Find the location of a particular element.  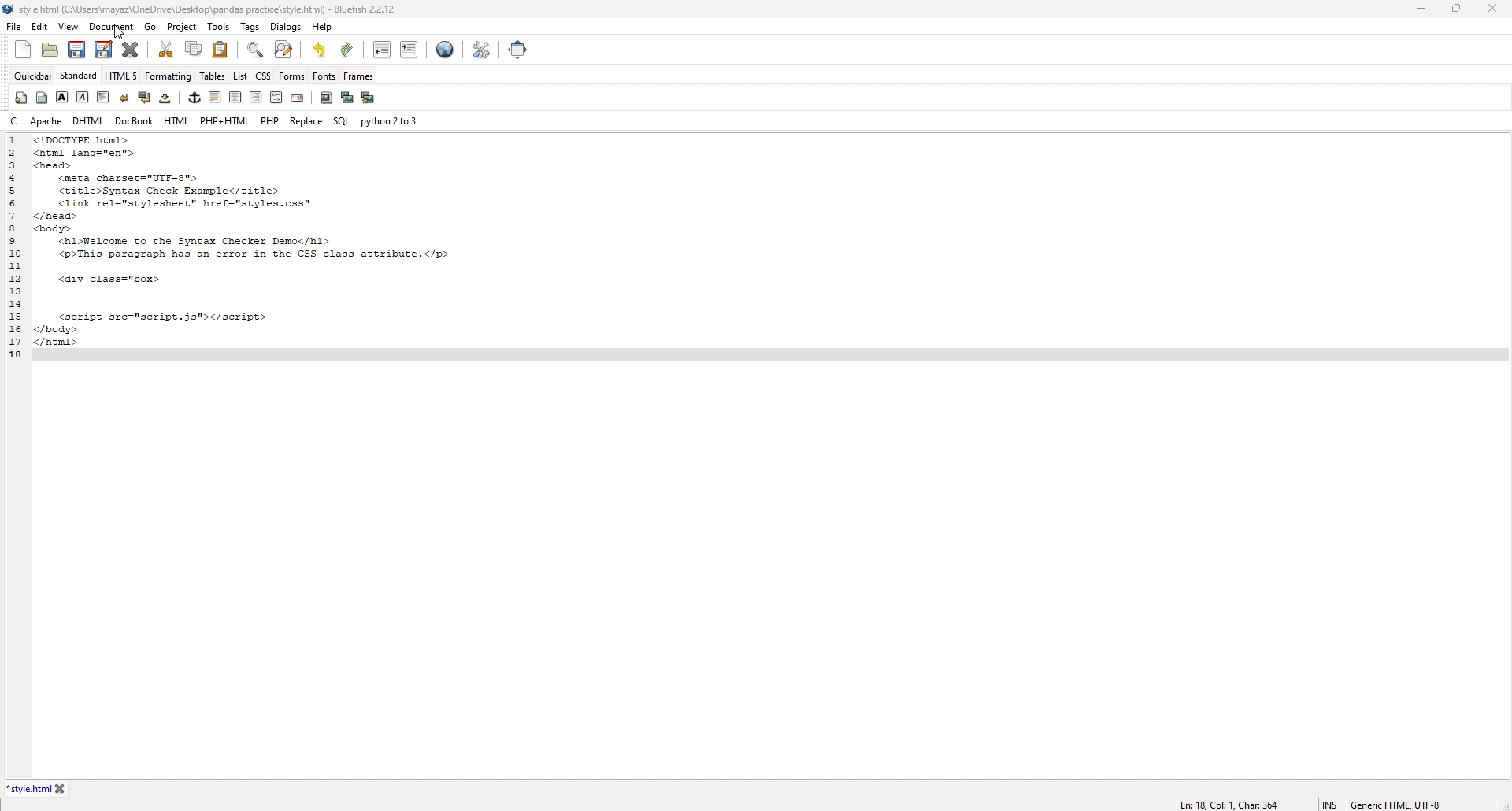

dialogs is located at coordinates (286, 27).